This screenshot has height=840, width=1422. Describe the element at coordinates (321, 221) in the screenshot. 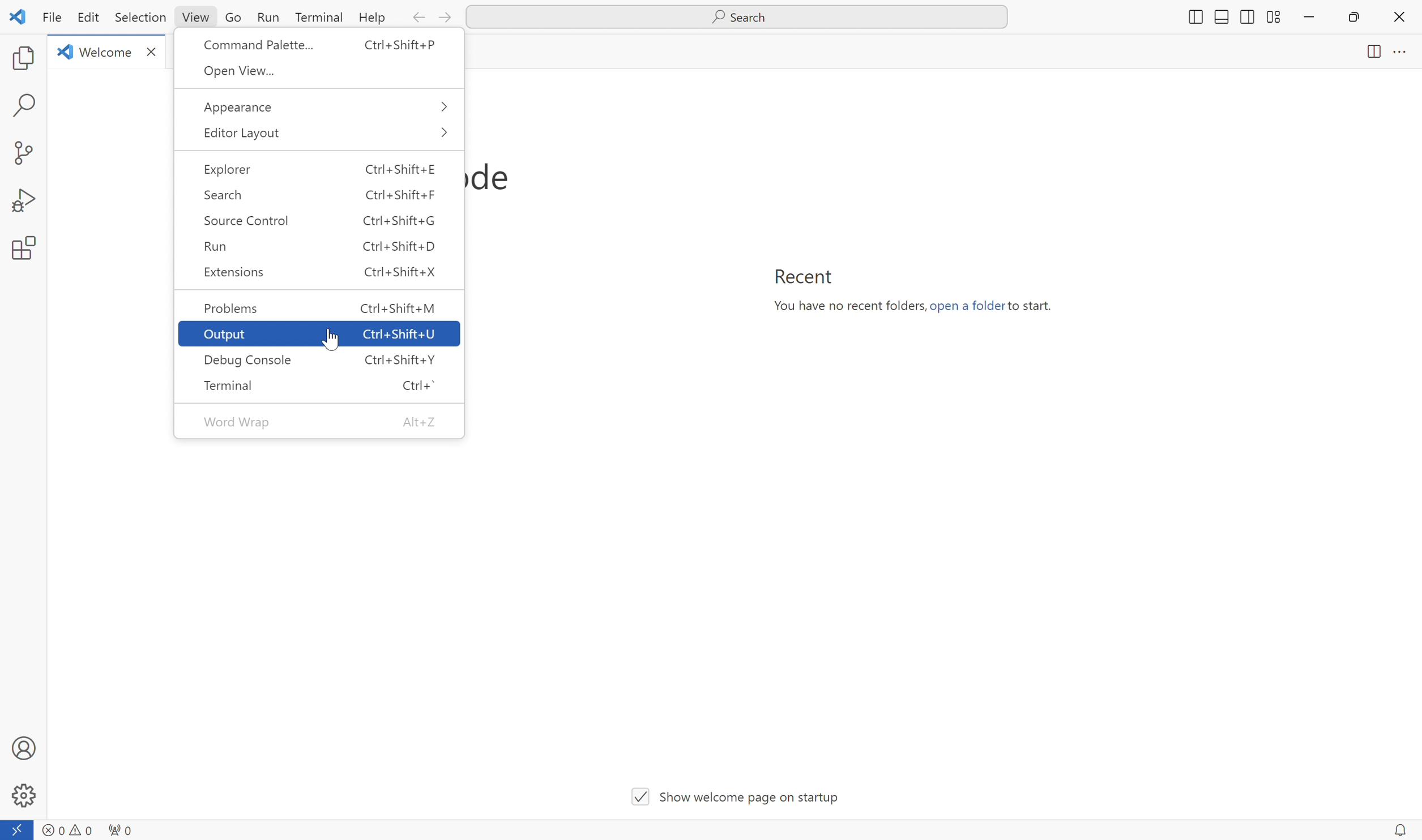

I see `source control` at that location.